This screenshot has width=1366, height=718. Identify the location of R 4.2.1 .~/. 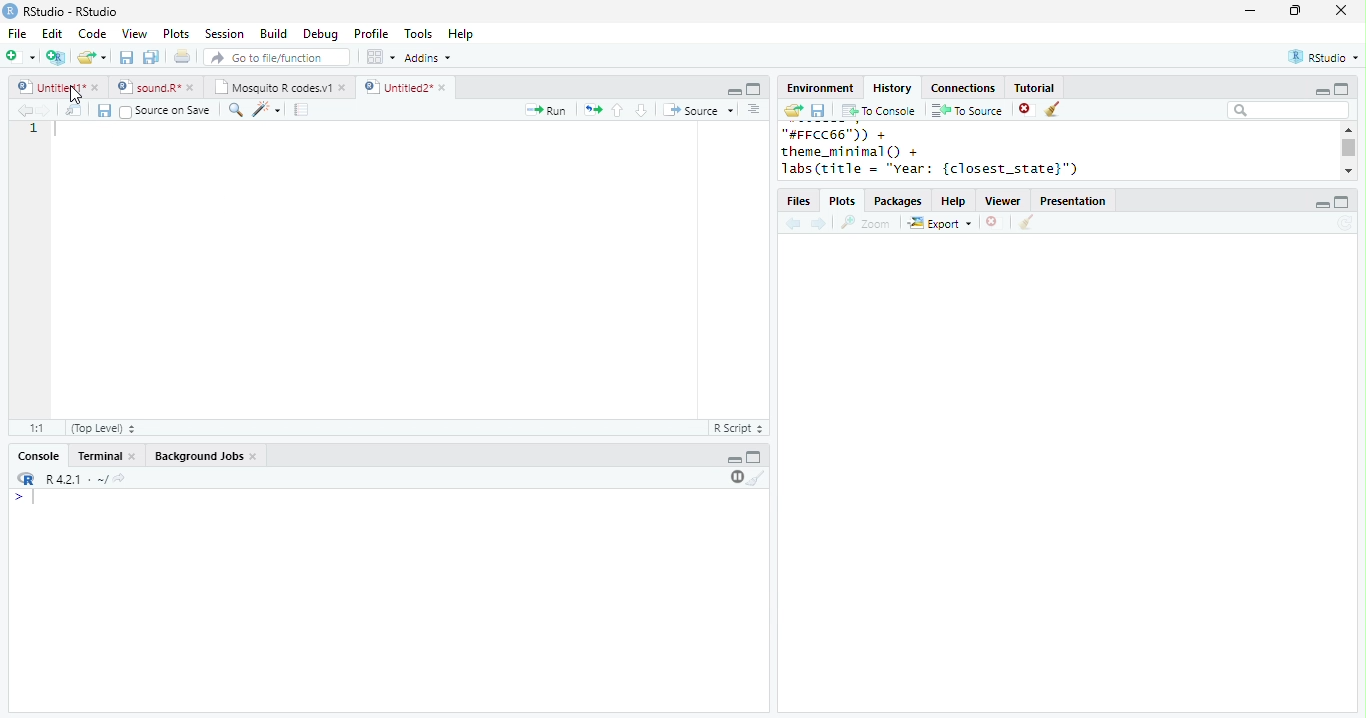
(73, 480).